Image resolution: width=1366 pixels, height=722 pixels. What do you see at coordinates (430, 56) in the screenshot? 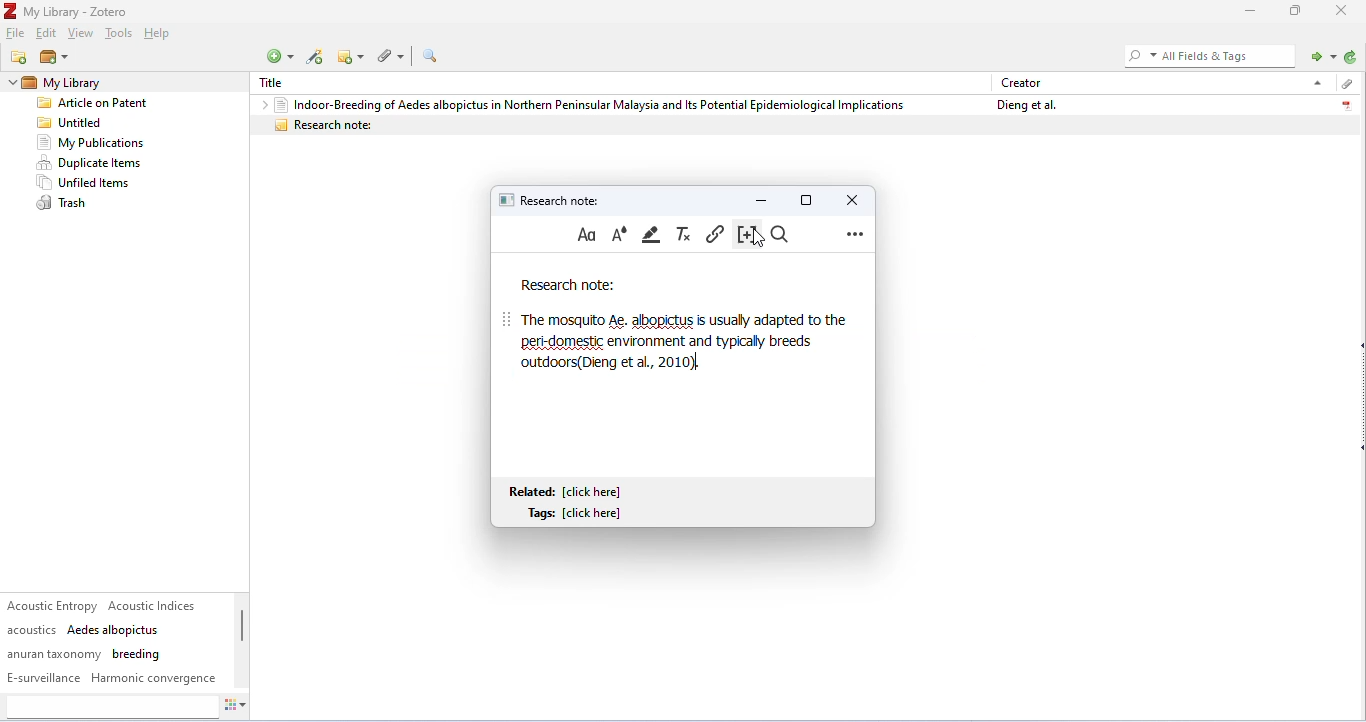
I see `advanced search` at bounding box center [430, 56].